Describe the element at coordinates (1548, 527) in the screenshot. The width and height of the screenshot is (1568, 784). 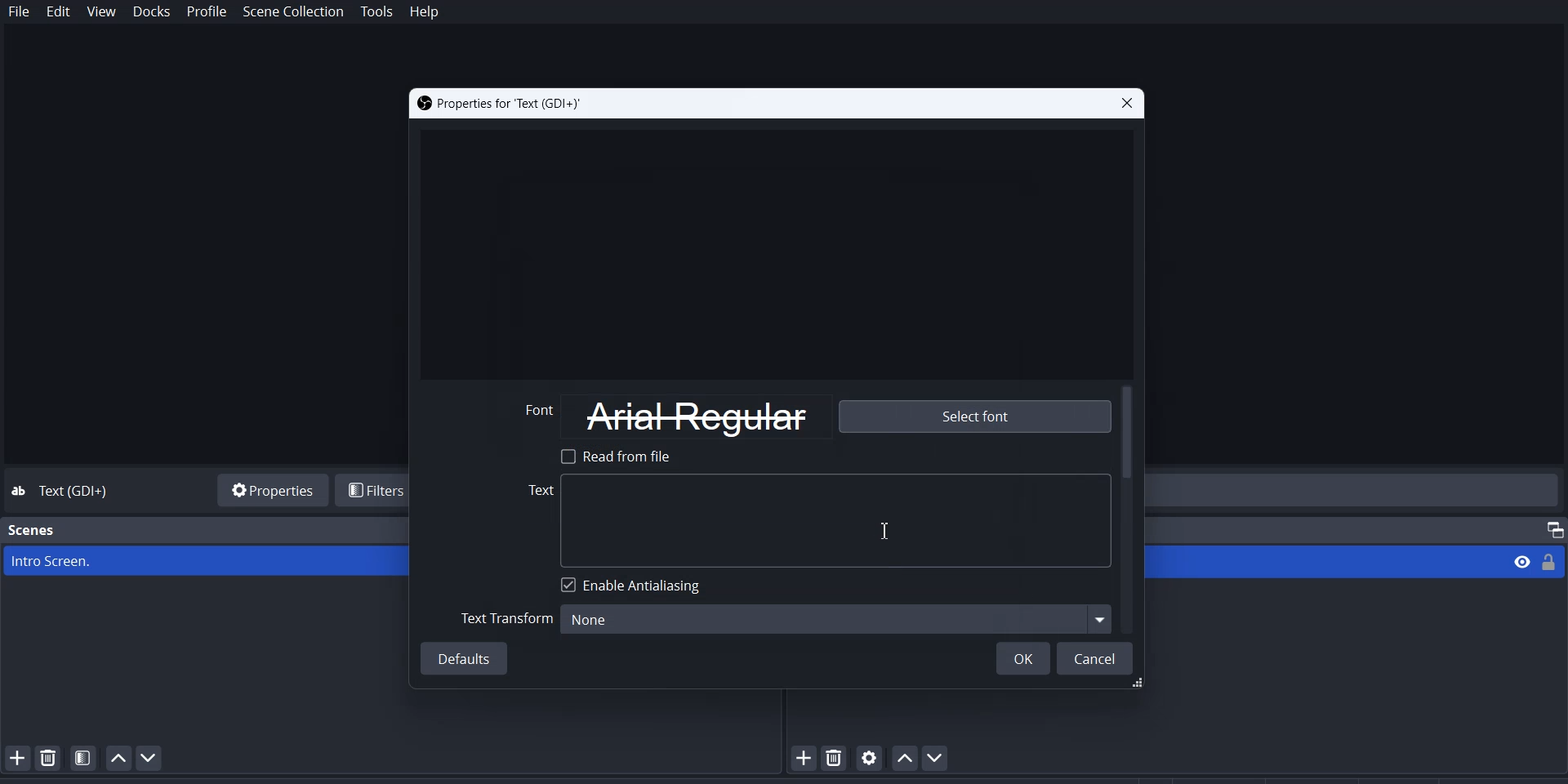
I see `Maximize` at that location.